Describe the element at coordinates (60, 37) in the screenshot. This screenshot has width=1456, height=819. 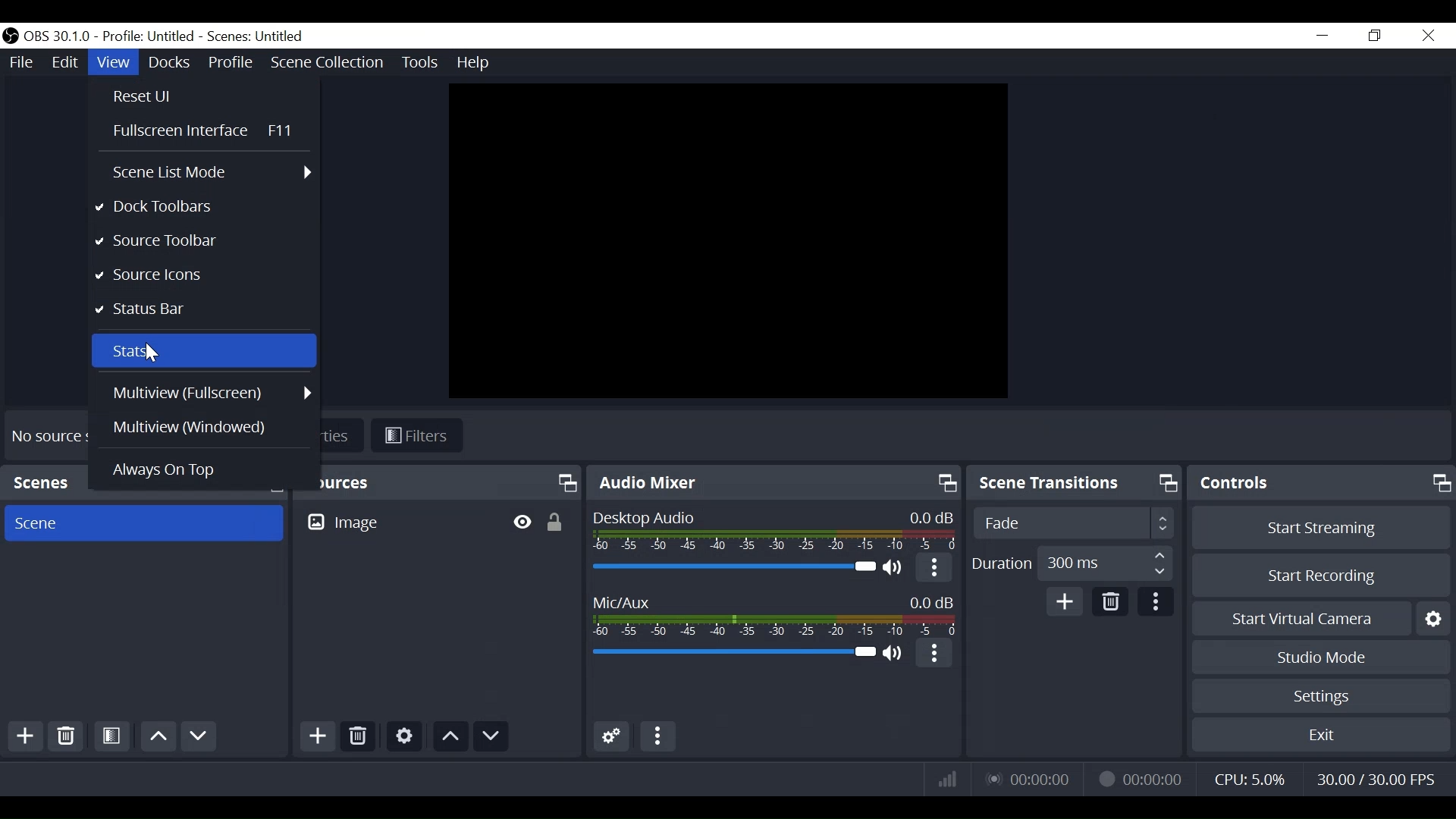
I see `OBS Version` at that location.